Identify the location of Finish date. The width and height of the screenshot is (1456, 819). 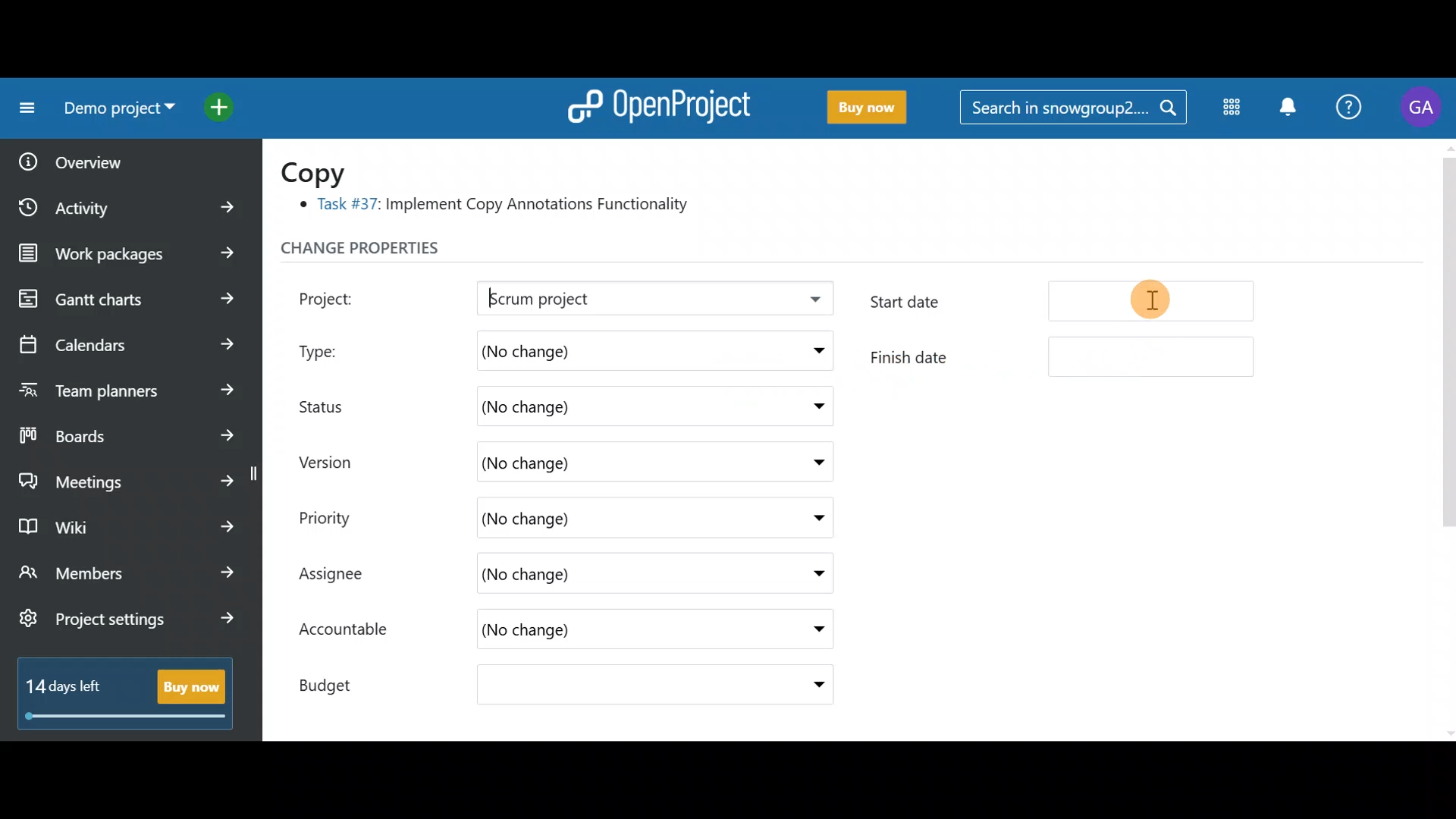
(1063, 356).